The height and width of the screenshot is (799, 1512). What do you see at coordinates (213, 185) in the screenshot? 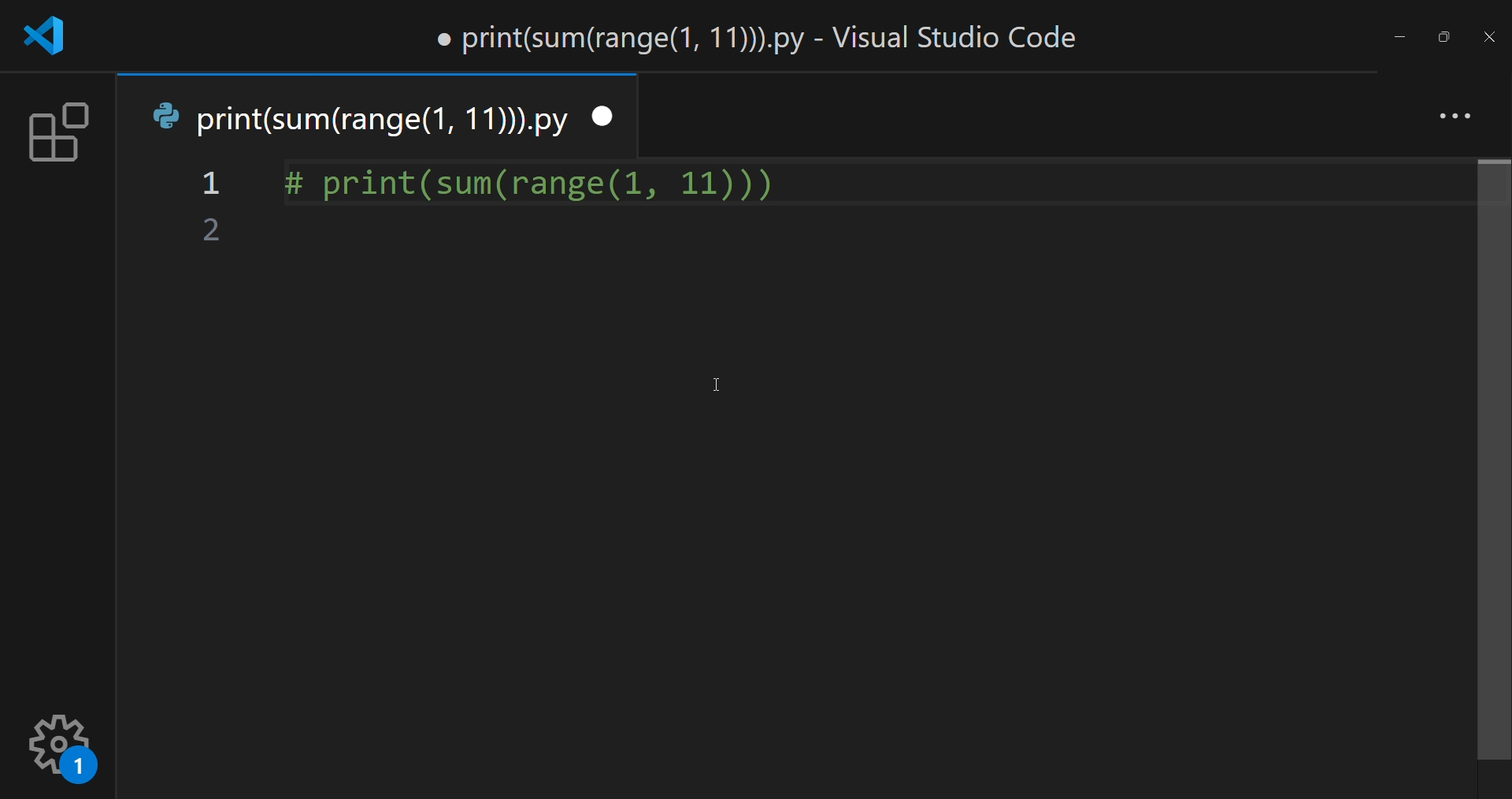
I see `1` at bounding box center [213, 185].